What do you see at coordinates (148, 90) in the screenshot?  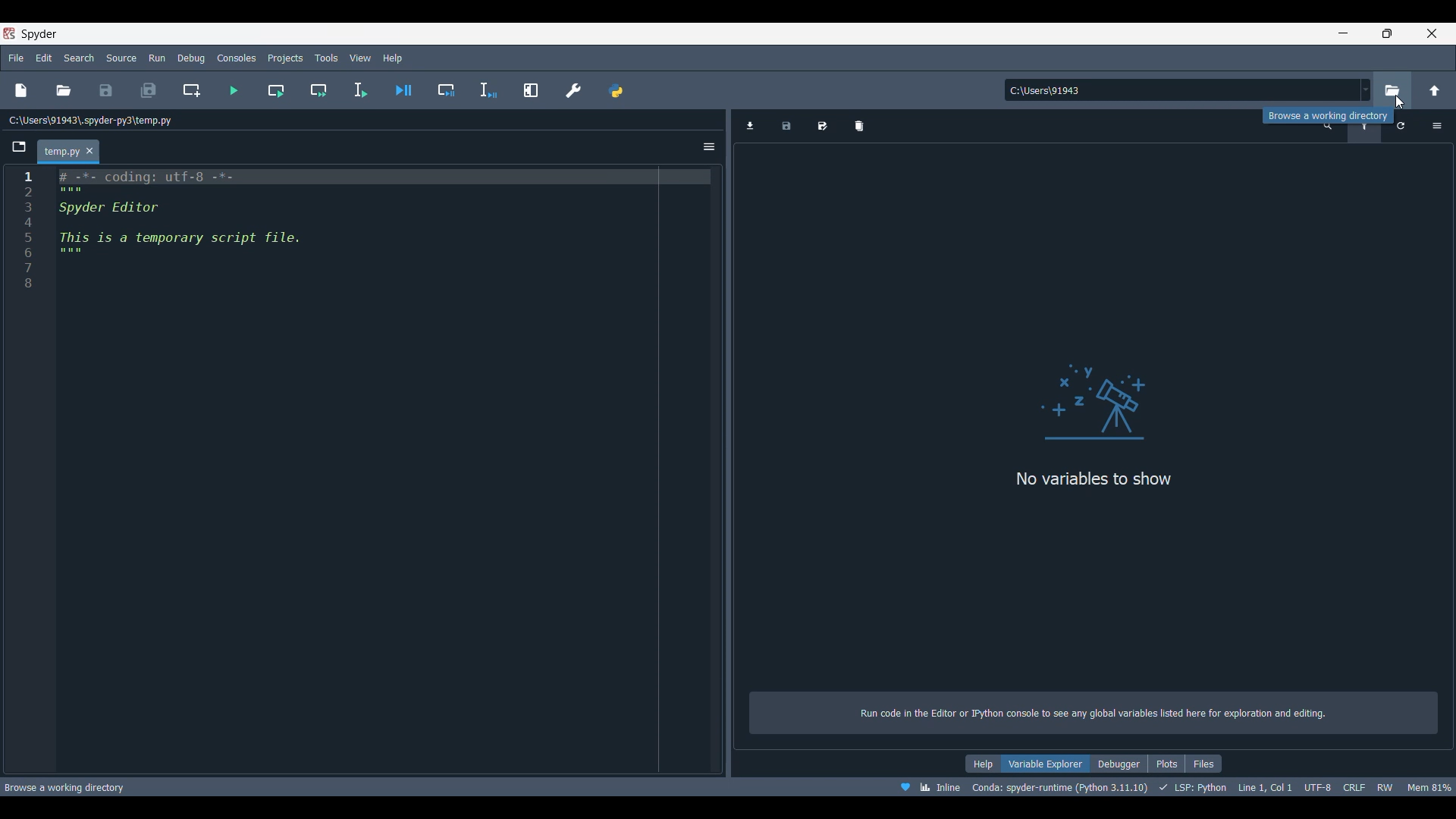 I see `Save everything` at bounding box center [148, 90].